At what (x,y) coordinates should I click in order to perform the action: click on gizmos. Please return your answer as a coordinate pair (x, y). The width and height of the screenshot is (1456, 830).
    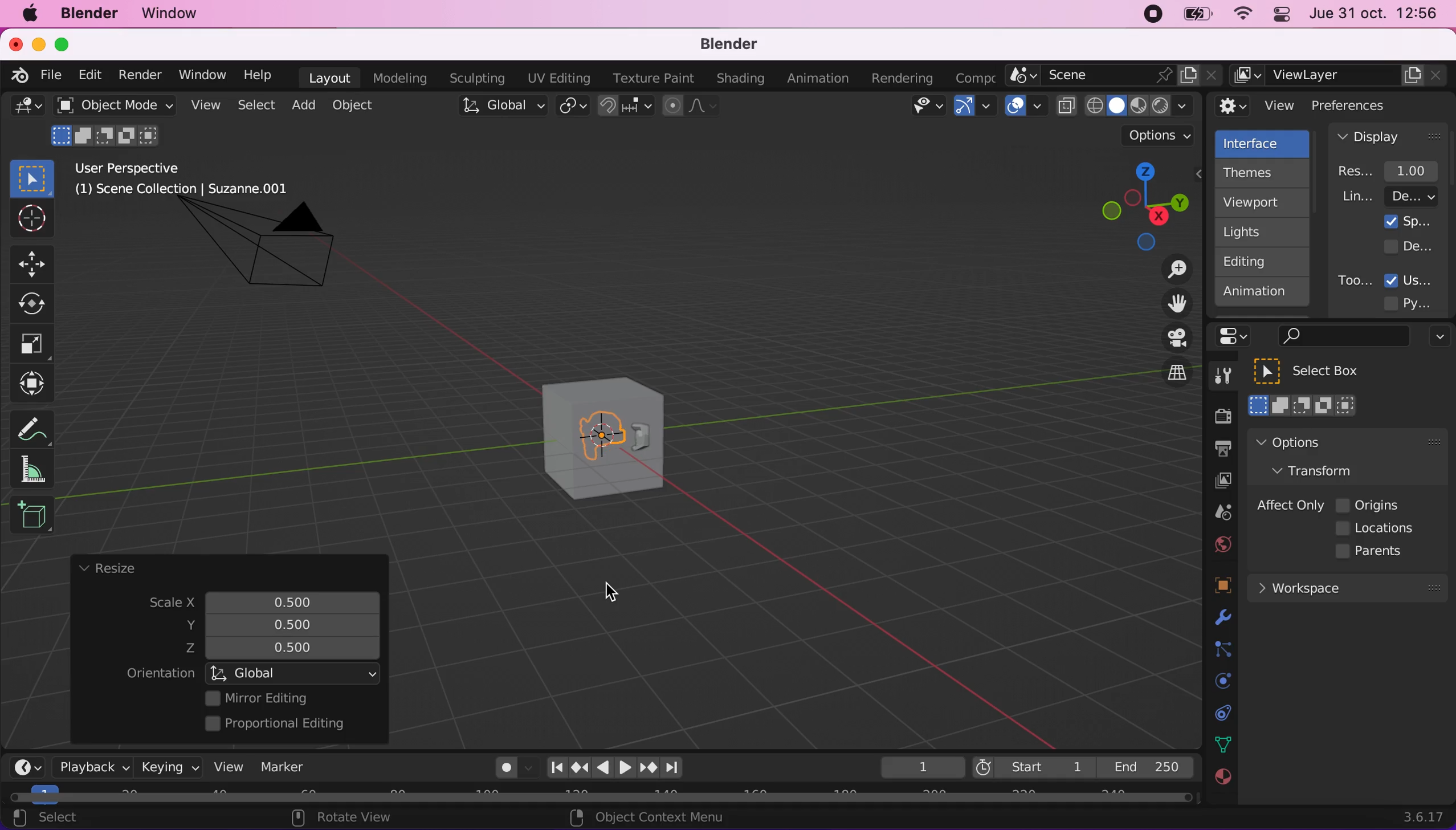
    Looking at the image, I should click on (974, 109).